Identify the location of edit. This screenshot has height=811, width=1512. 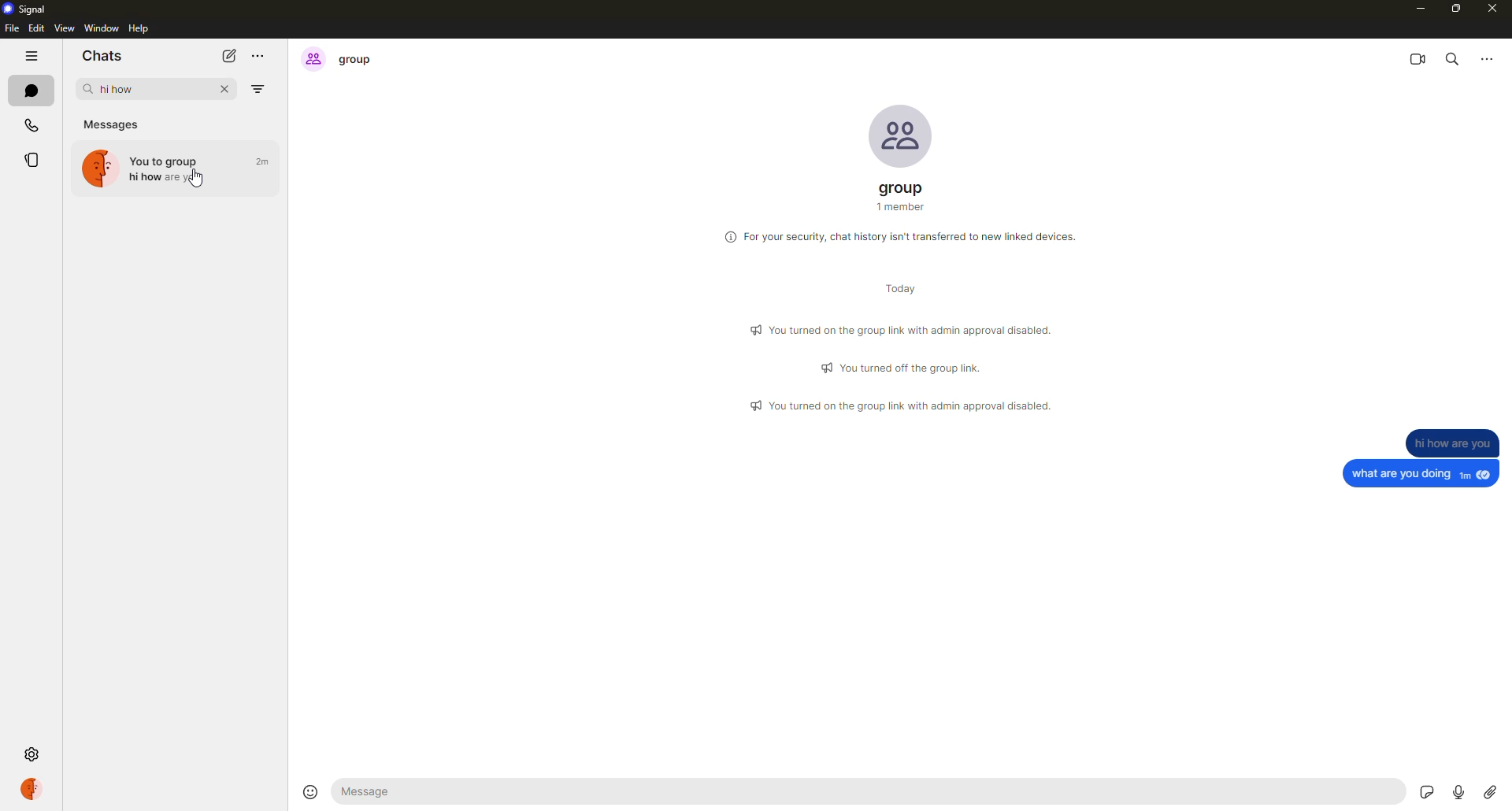
(36, 28).